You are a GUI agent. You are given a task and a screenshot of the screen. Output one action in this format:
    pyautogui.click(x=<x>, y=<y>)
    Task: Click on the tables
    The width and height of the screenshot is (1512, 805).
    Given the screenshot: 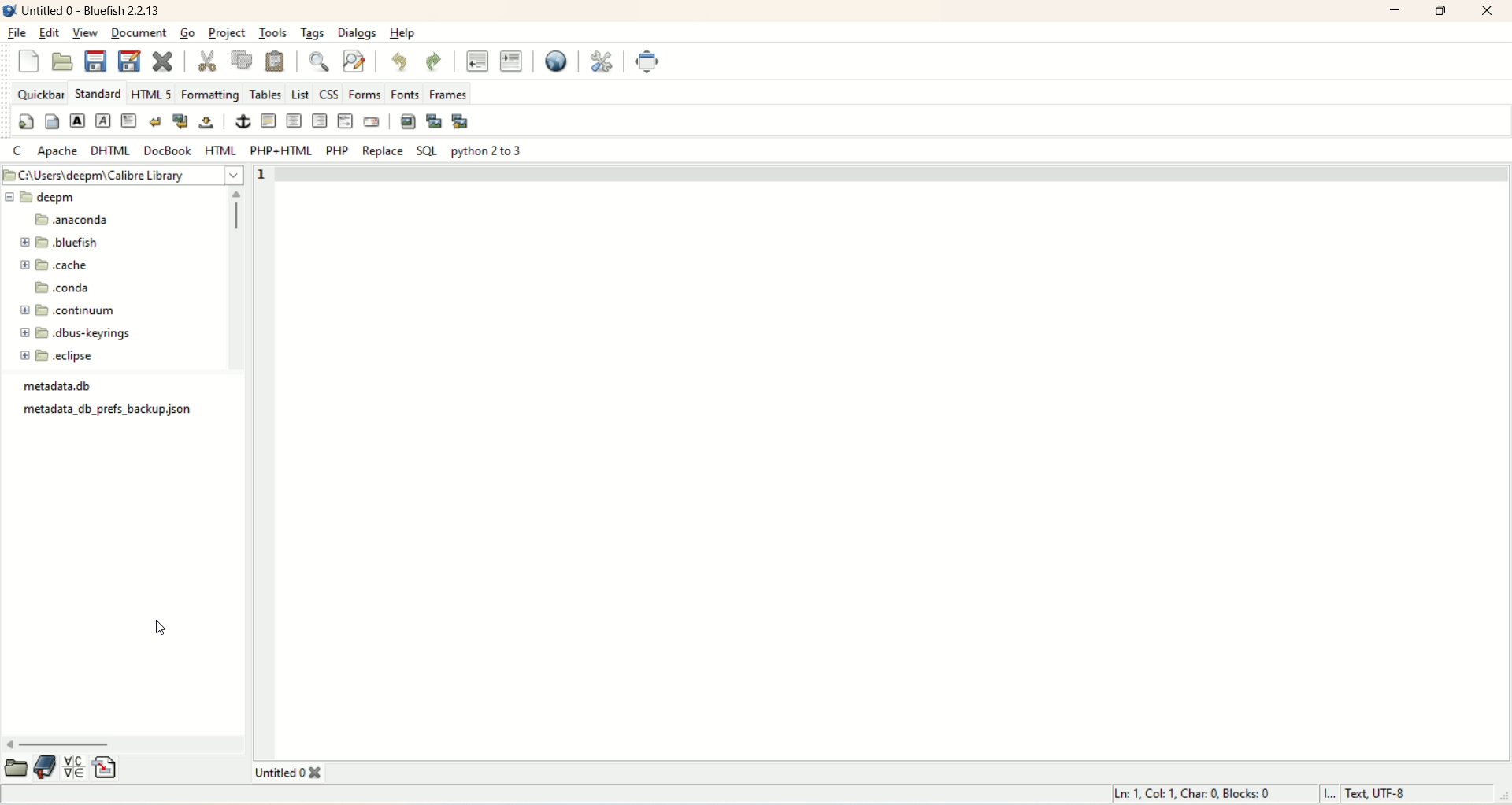 What is the action you would take?
    pyautogui.click(x=265, y=93)
    